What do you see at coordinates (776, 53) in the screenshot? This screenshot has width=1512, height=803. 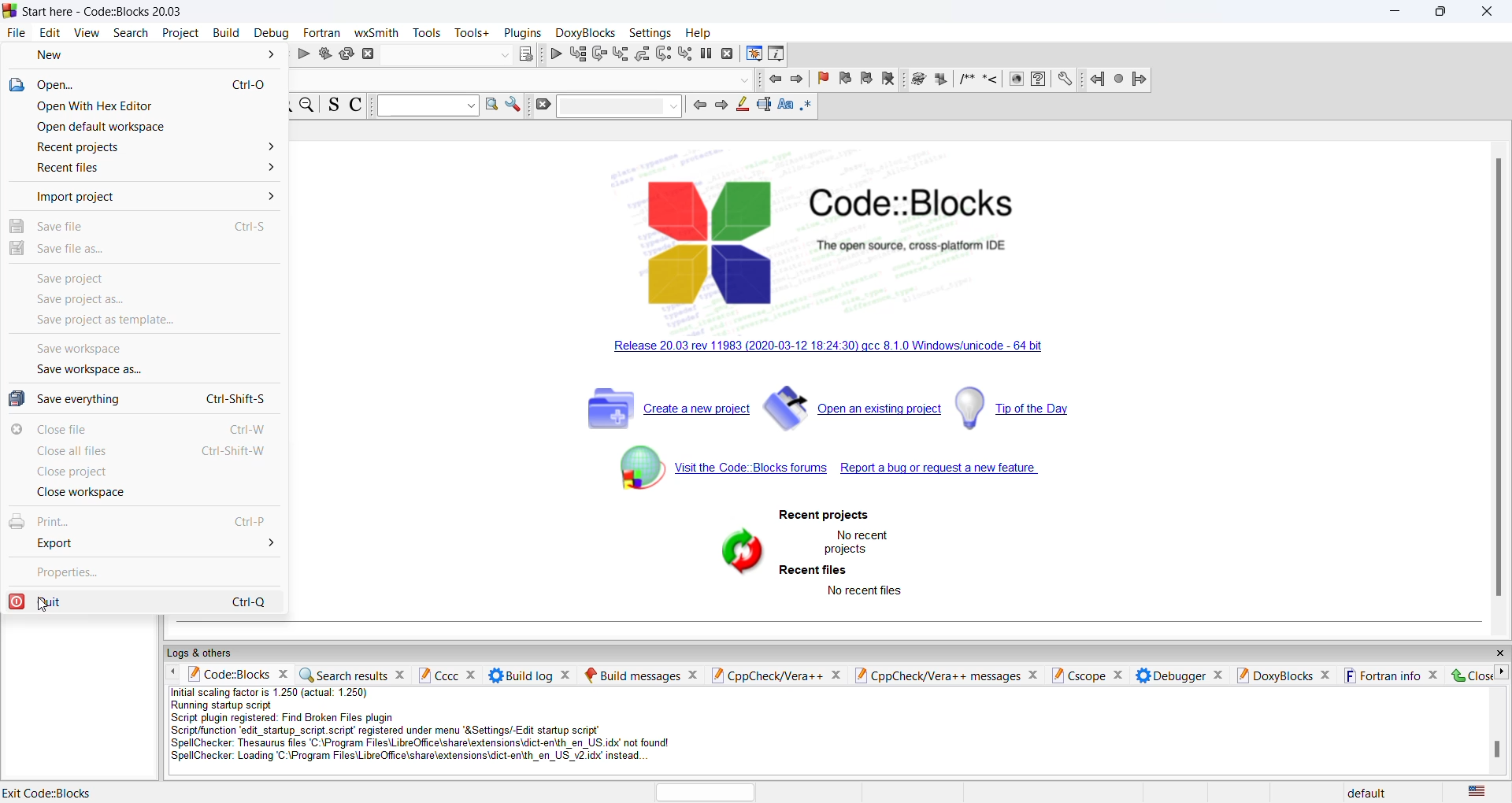 I see `Various info` at bounding box center [776, 53].